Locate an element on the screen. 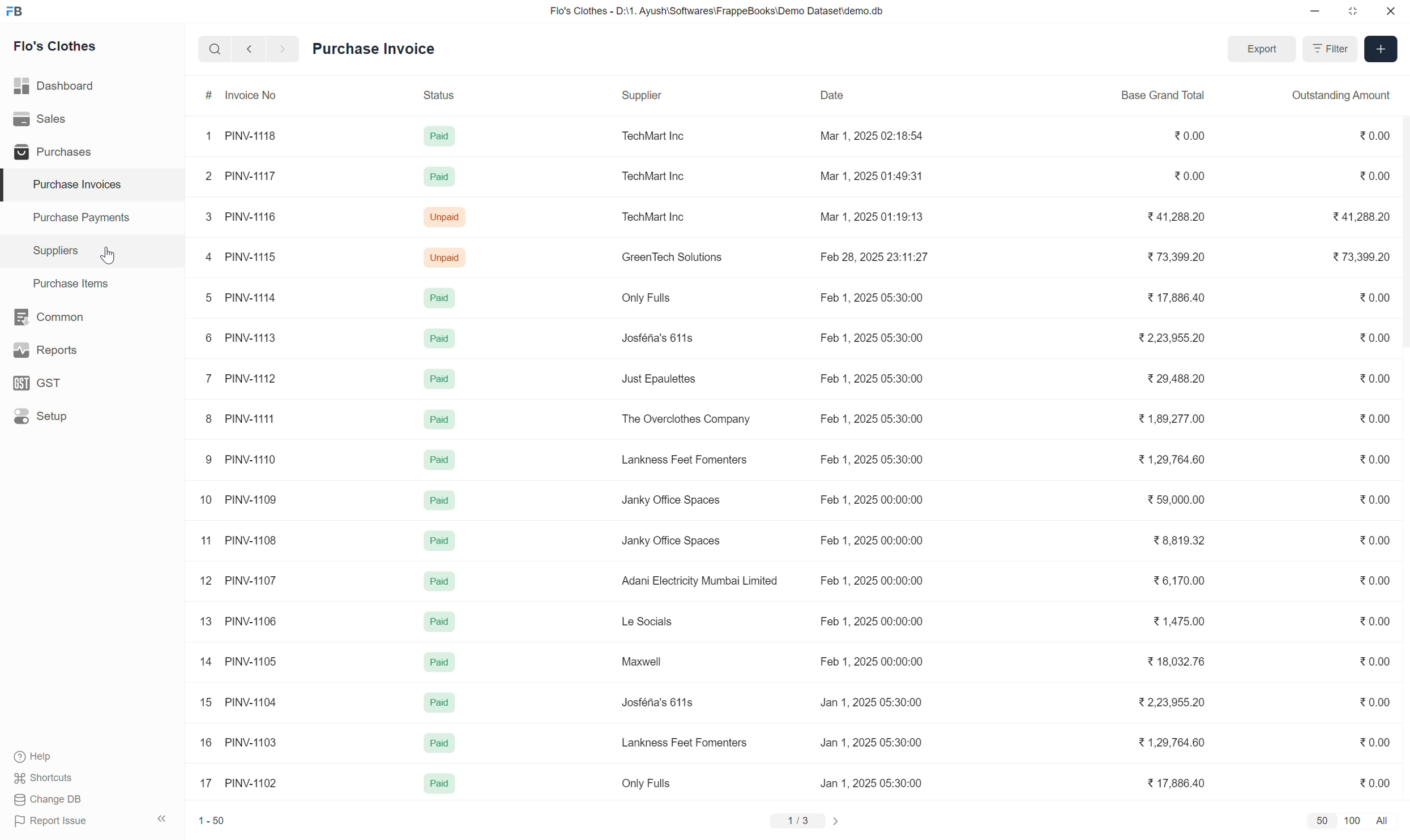 The image size is (1410, 840). % 0.00 is located at coordinates (1370, 740).